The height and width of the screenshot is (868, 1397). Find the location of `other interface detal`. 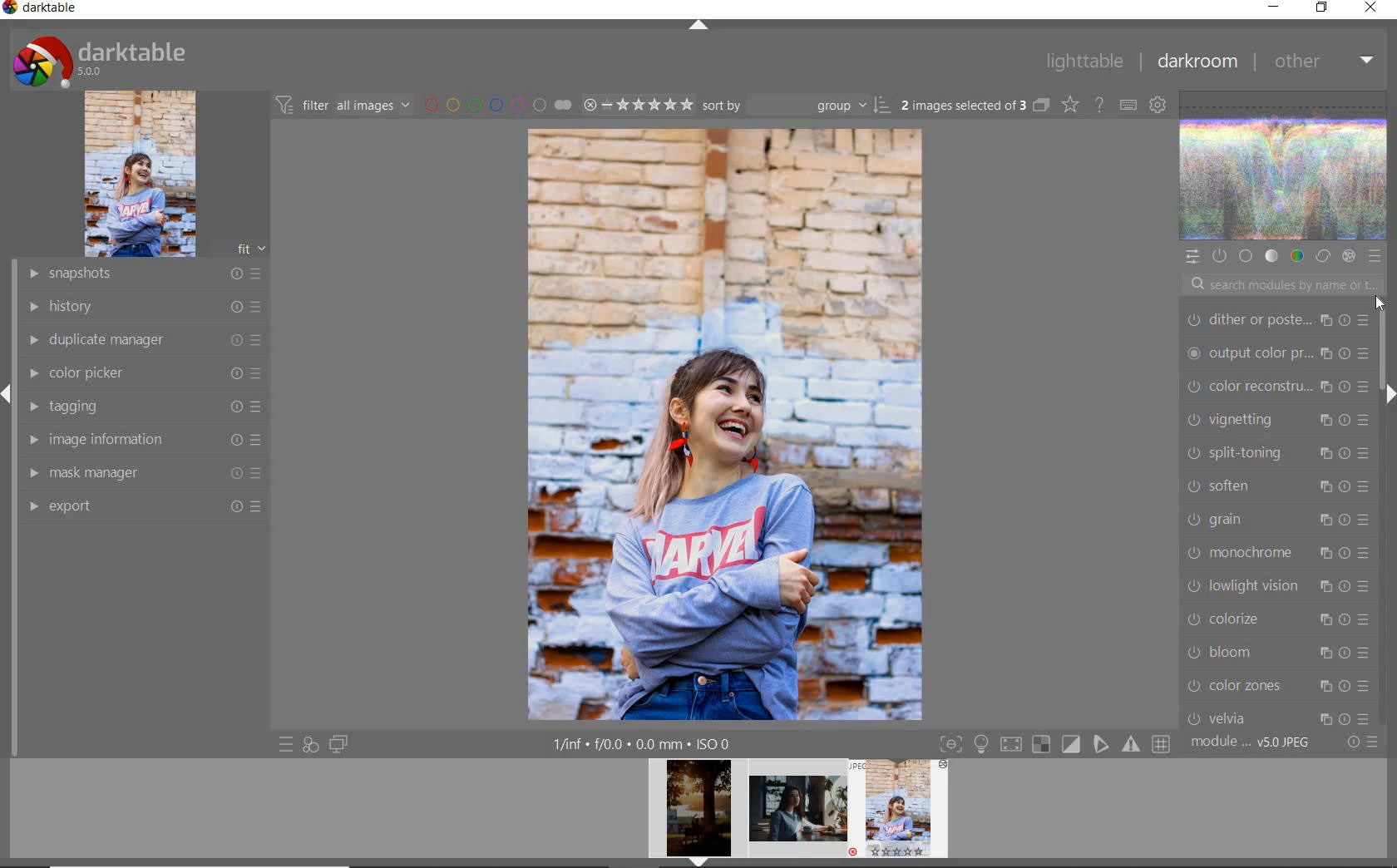

other interface detal is located at coordinates (644, 744).